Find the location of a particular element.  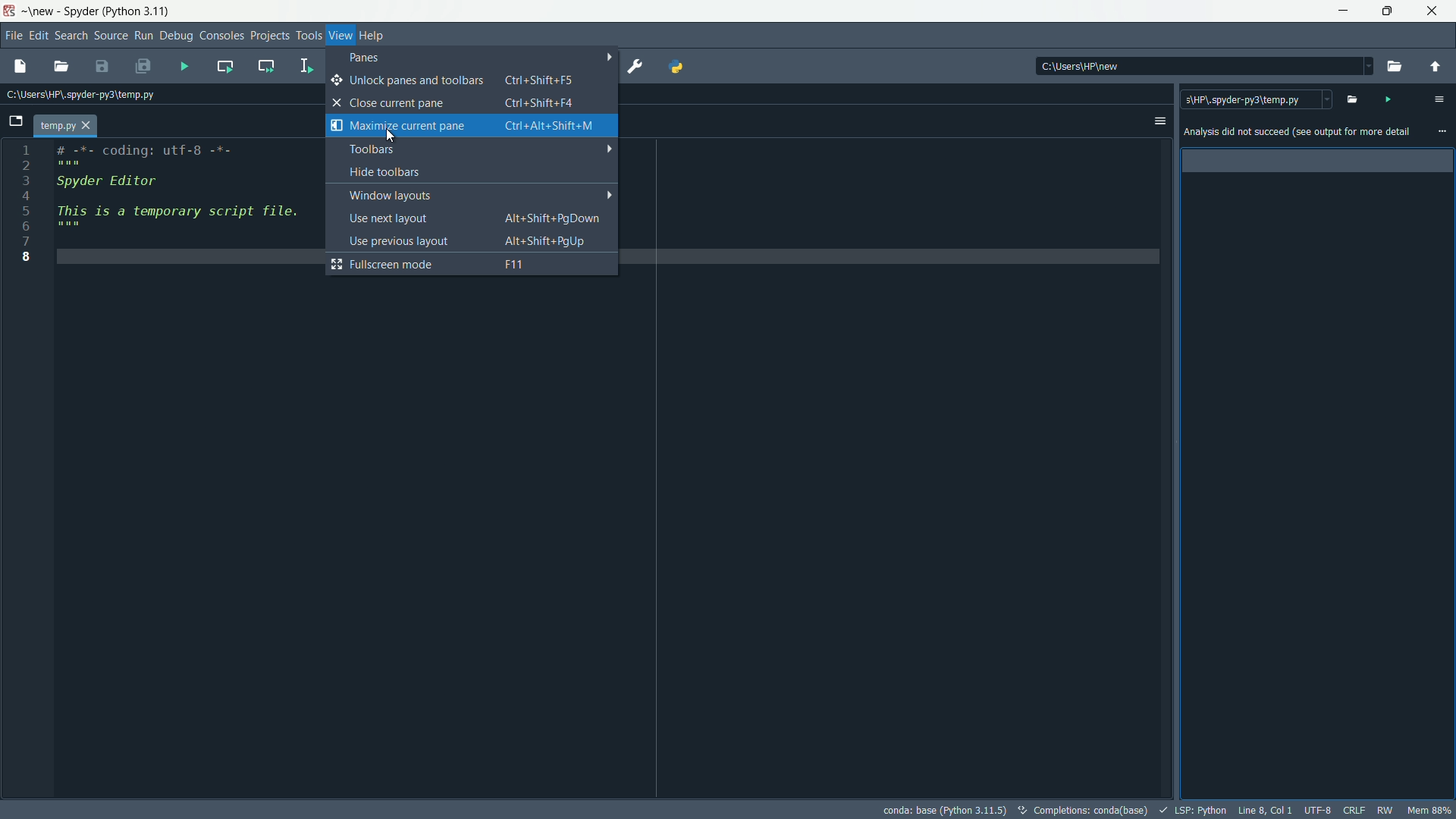

edit menu is located at coordinates (34, 36).